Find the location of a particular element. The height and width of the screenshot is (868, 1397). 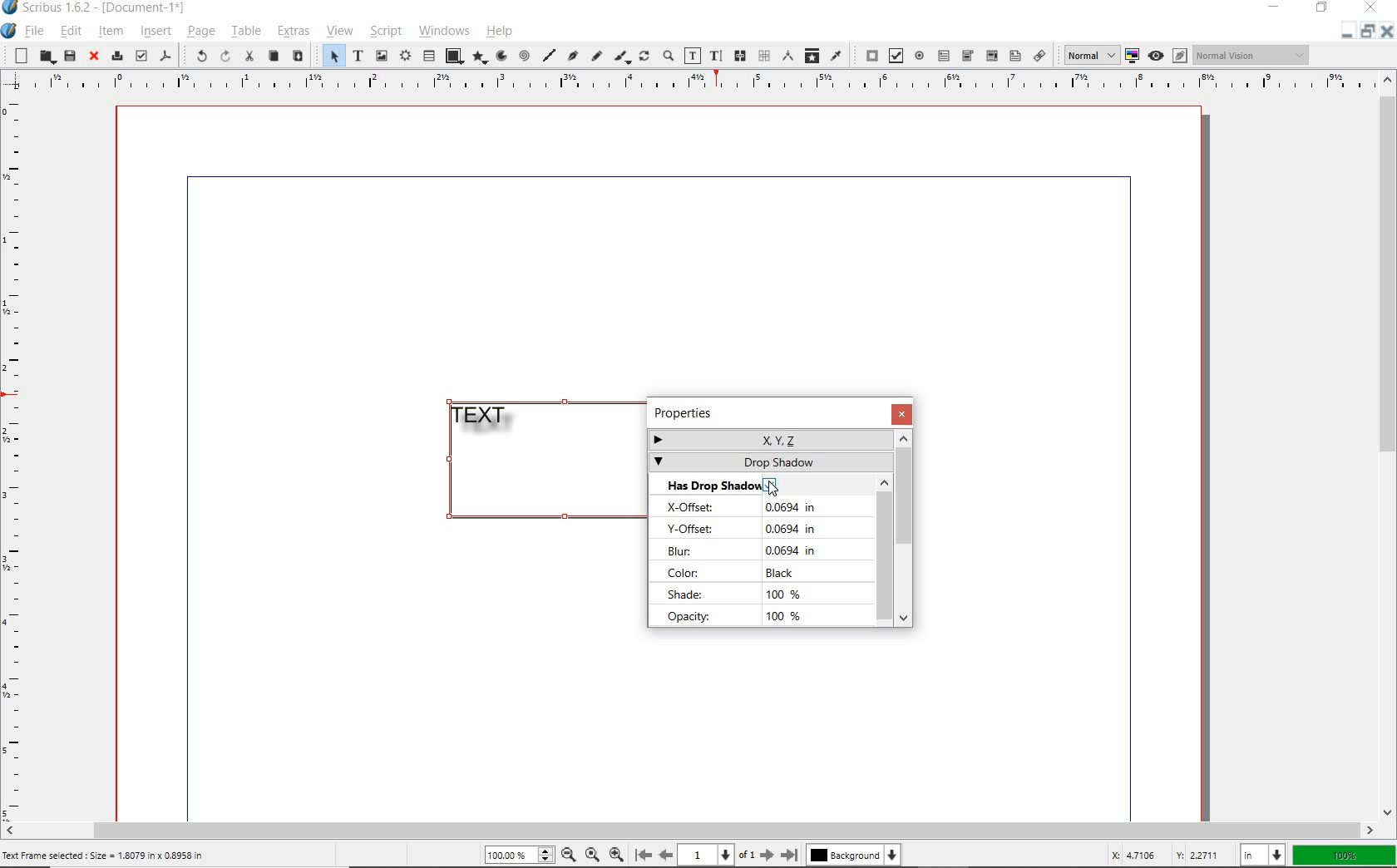

Background is located at coordinates (853, 856).